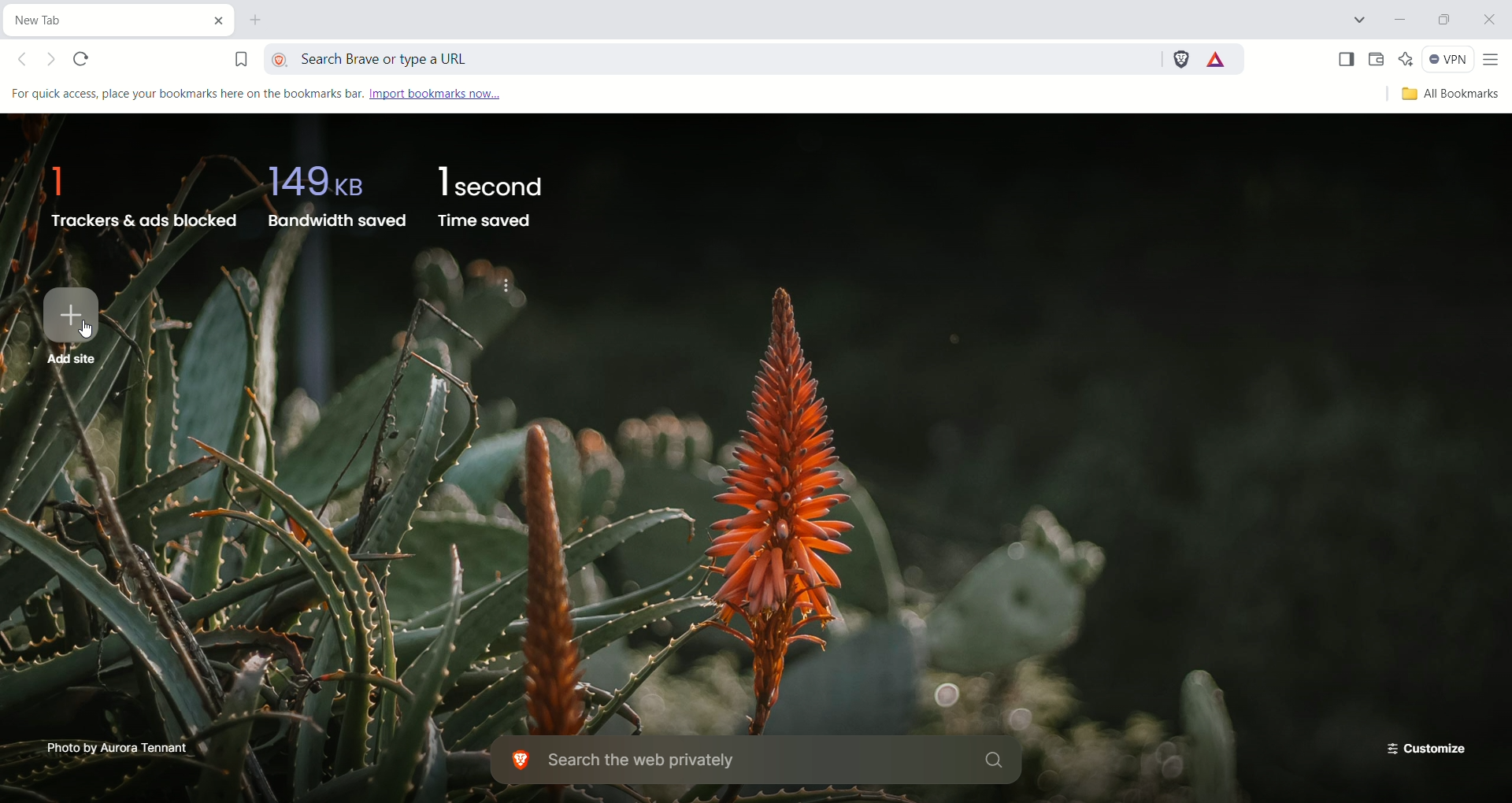  I want to click on For quick access, place your bookmarks here on the bookmarks bar., so click(186, 94).